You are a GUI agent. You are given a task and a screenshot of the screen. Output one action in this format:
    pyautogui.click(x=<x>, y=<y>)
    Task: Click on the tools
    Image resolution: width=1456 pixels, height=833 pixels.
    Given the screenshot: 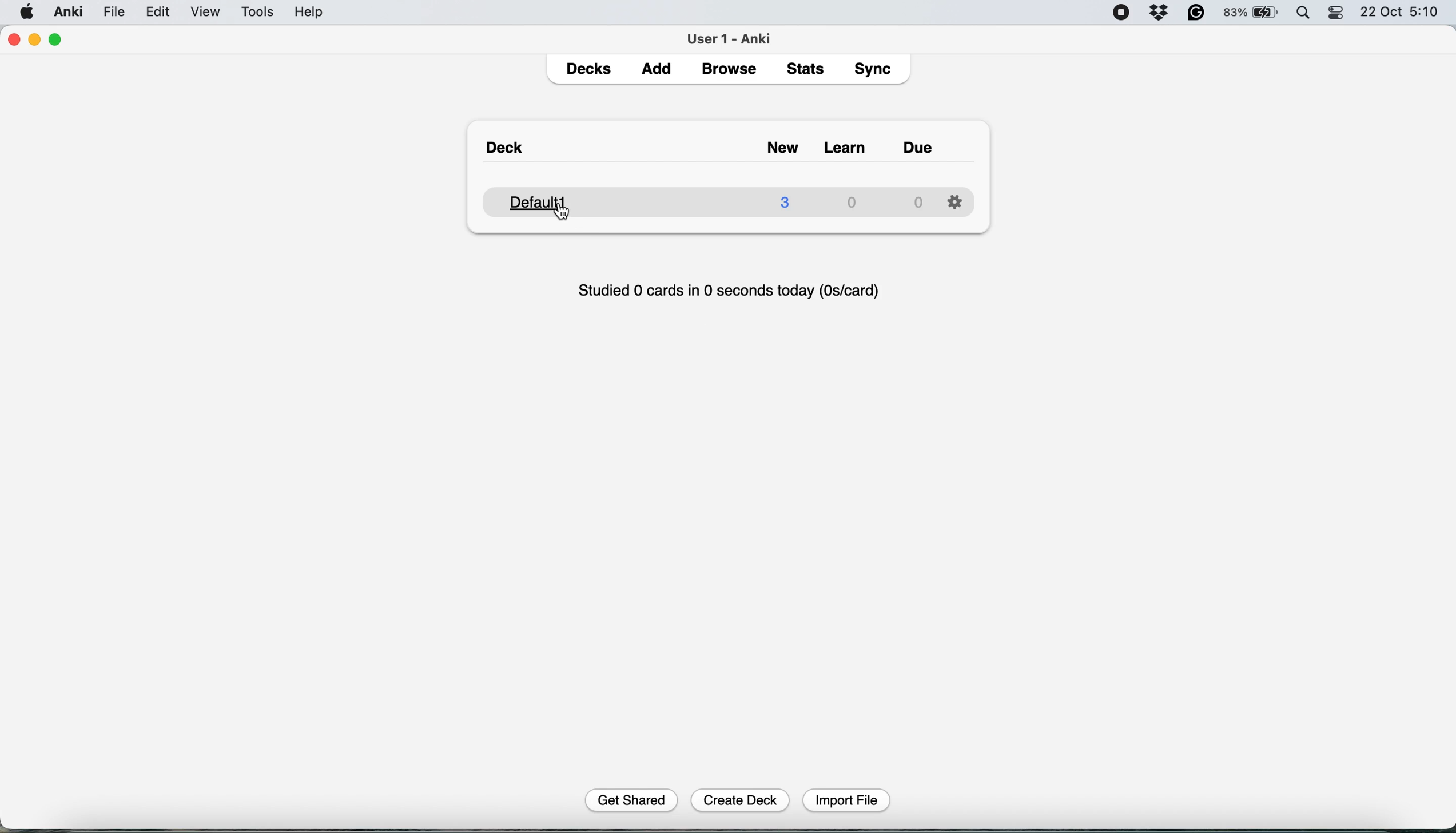 What is the action you would take?
    pyautogui.click(x=253, y=11)
    